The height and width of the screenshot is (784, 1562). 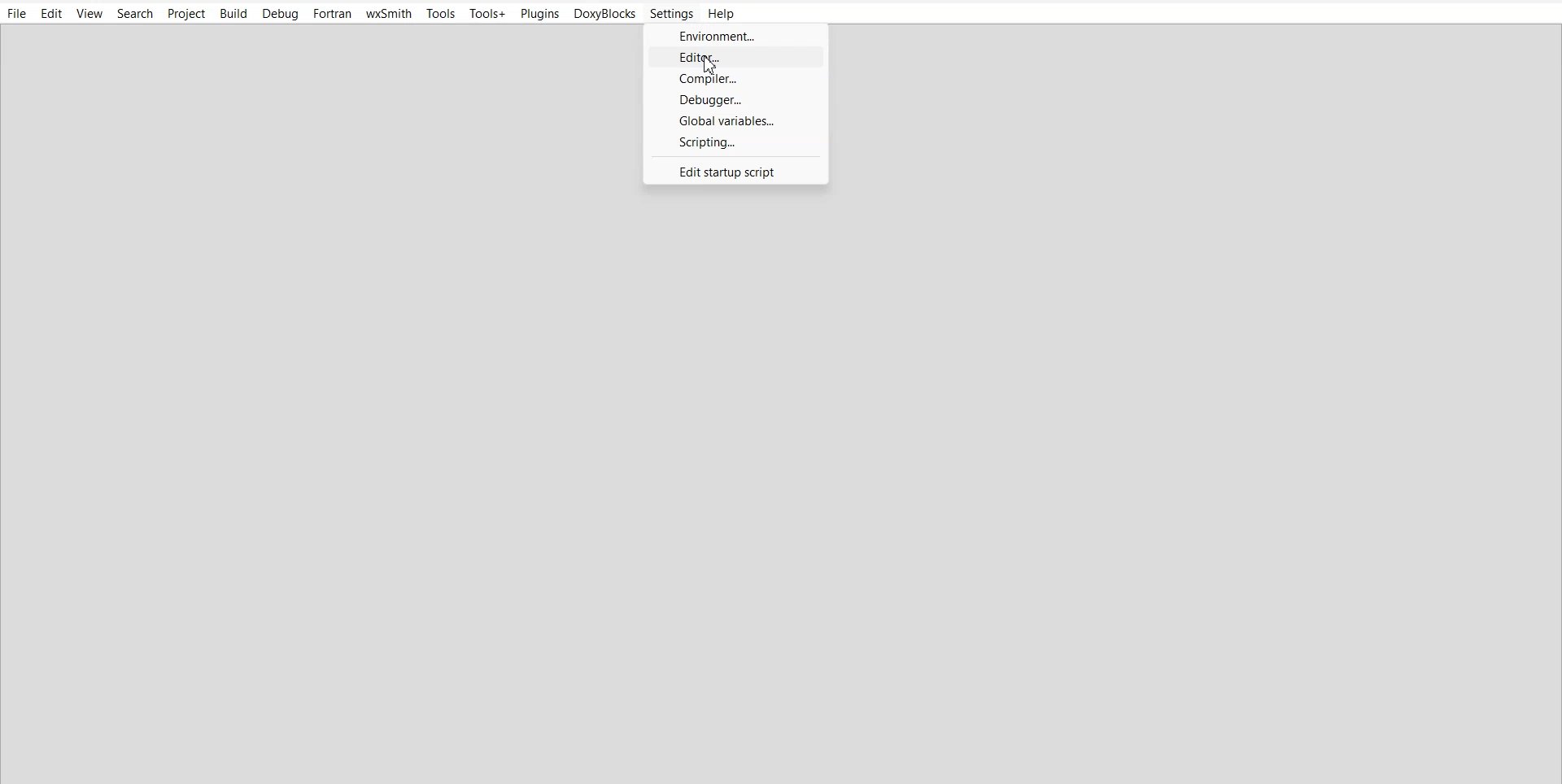 I want to click on View, so click(x=89, y=14).